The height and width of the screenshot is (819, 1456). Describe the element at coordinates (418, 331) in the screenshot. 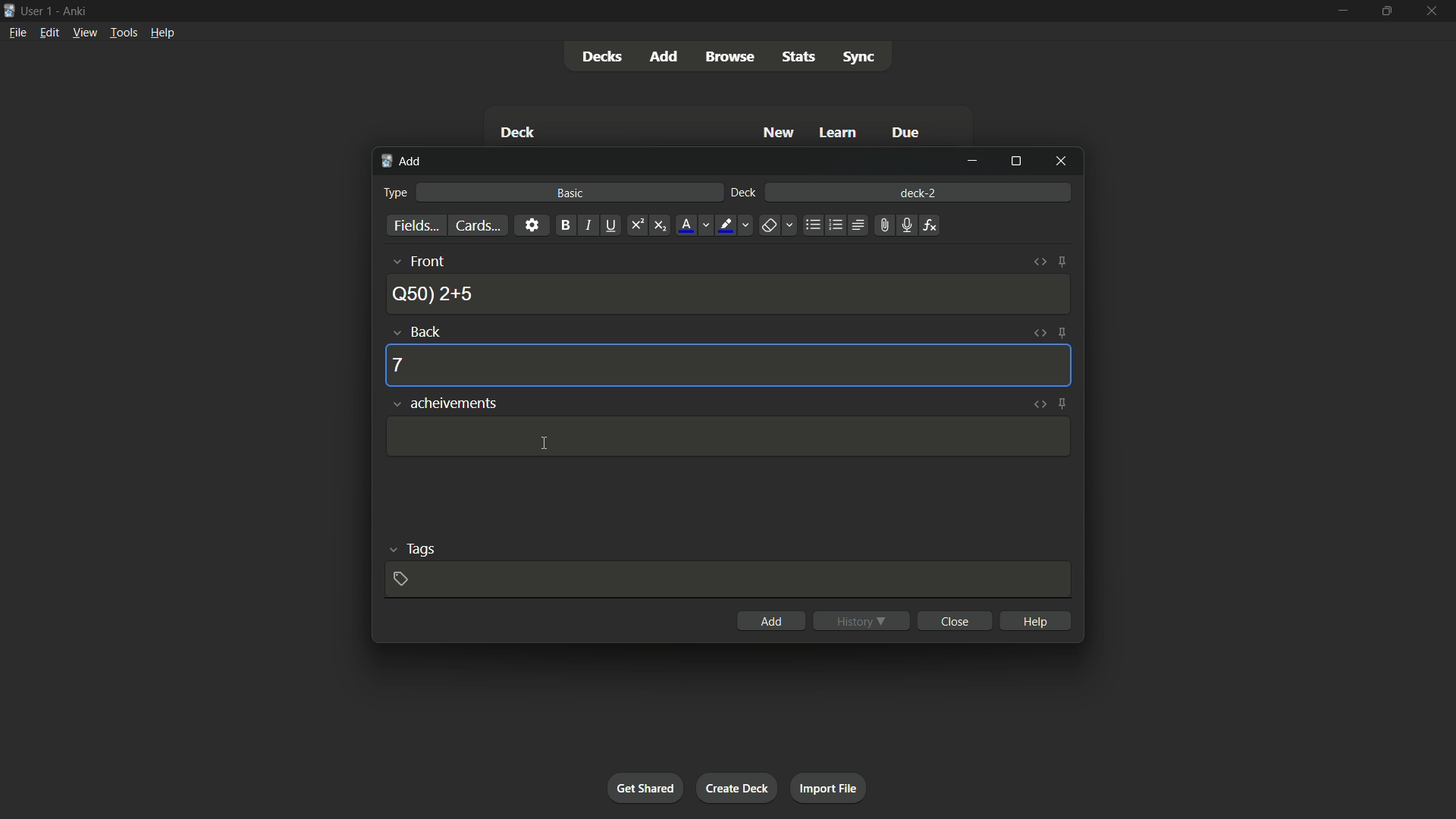

I see `back` at that location.